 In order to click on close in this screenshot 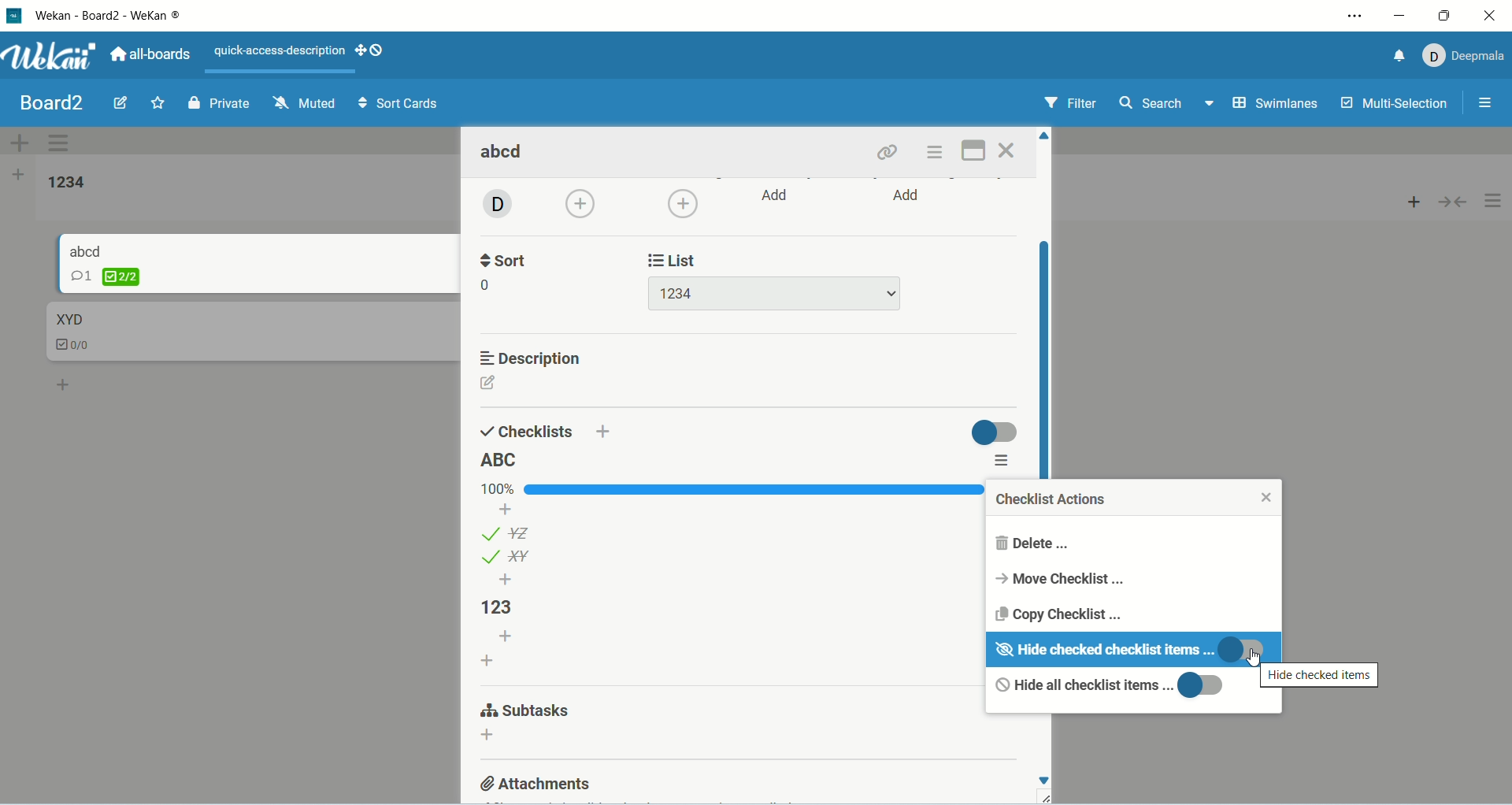, I will do `click(1483, 17)`.